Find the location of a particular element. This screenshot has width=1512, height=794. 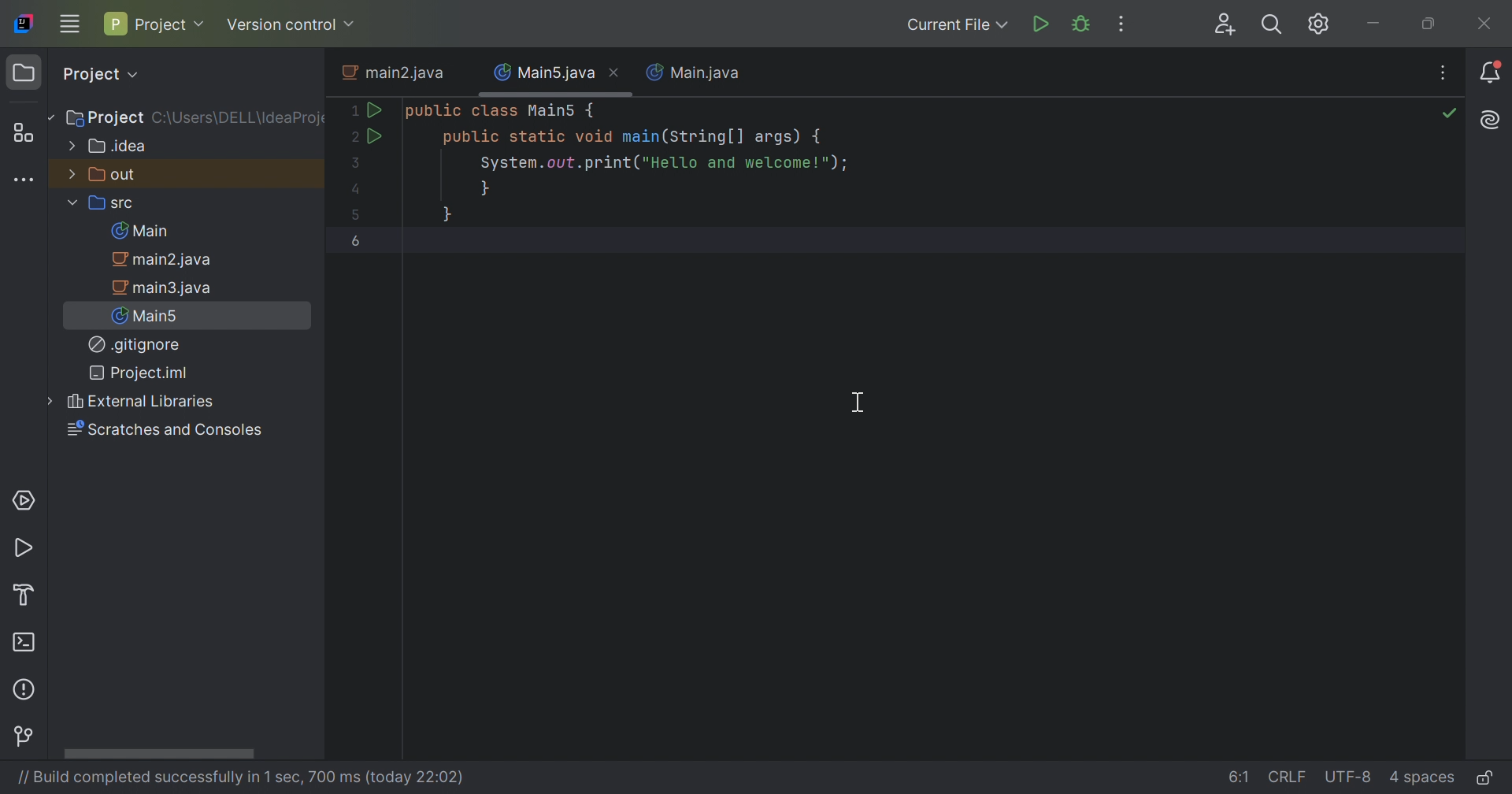

Recent Files, Tab Actions, and More is located at coordinates (1489, 121).